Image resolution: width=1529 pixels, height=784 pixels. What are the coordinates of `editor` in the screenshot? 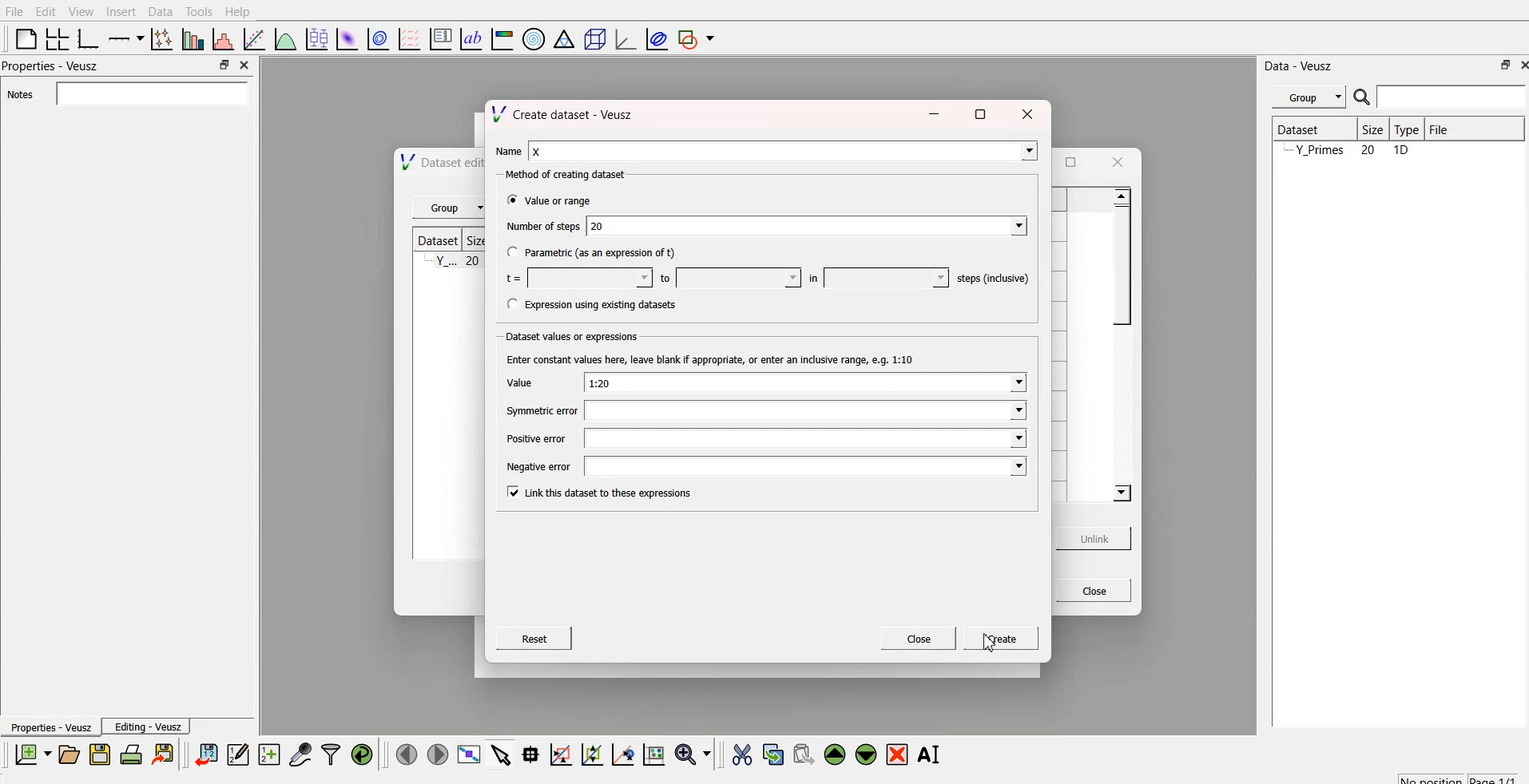 It's located at (239, 754).